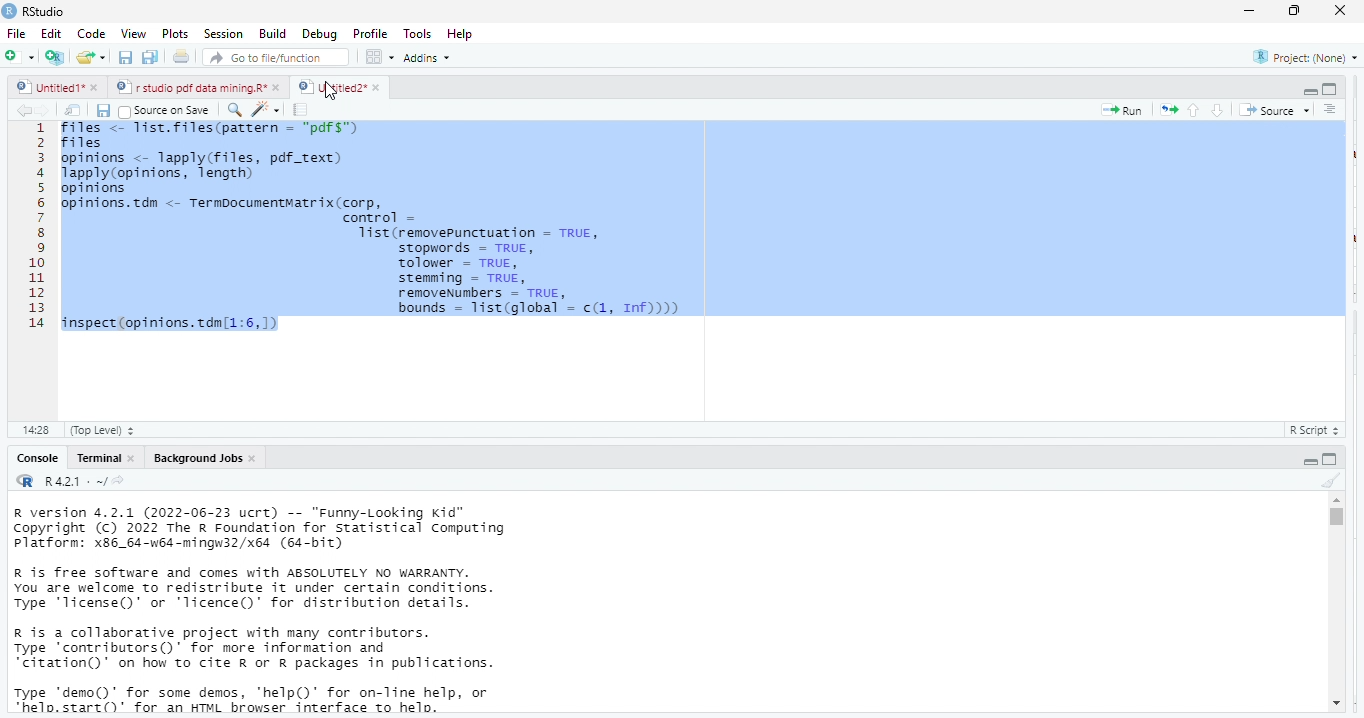 This screenshot has height=718, width=1364. Describe the element at coordinates (151, 58) in the screenshot. I see `save all open documents` at that location.